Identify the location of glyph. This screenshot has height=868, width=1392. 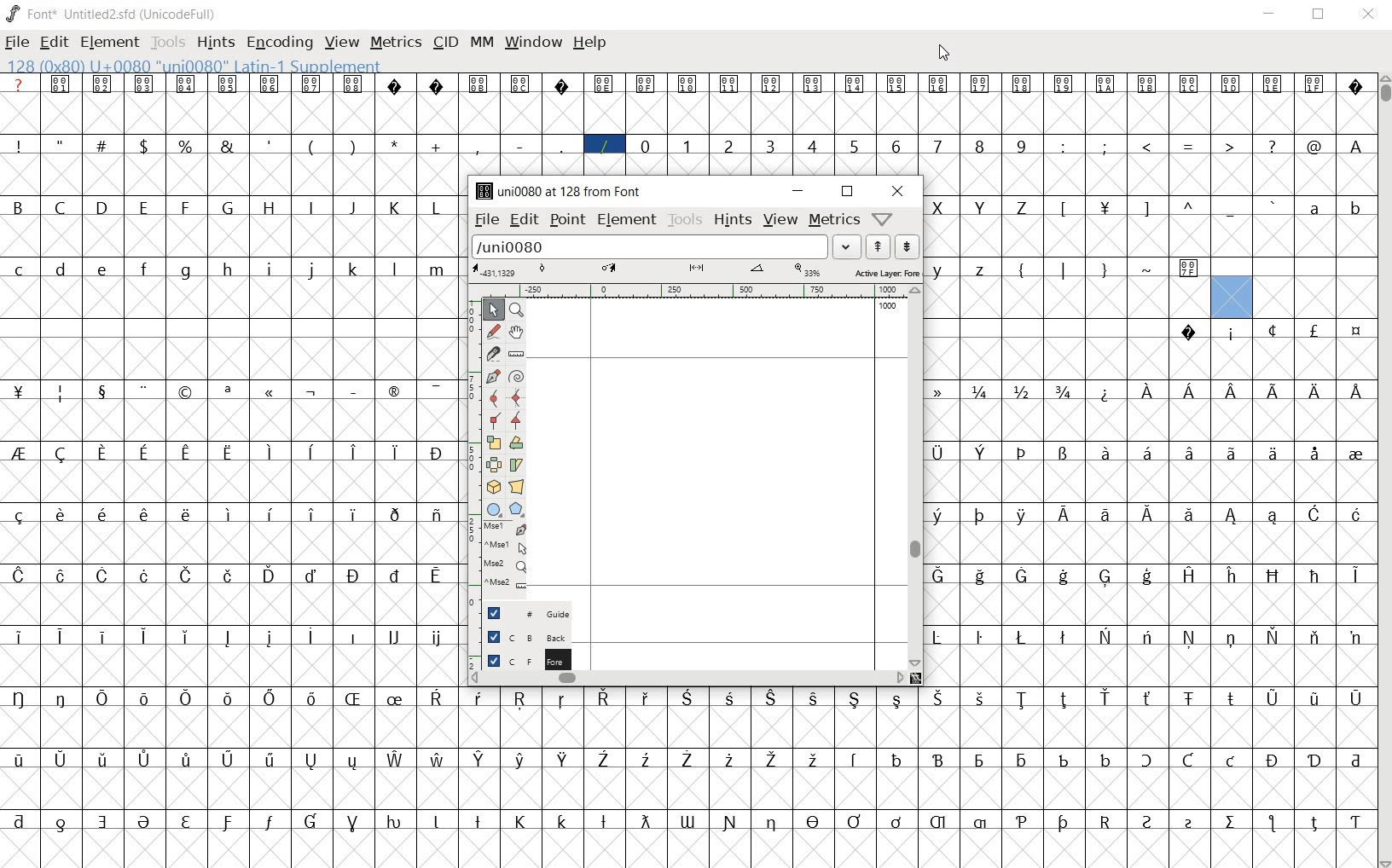
(395, 453).